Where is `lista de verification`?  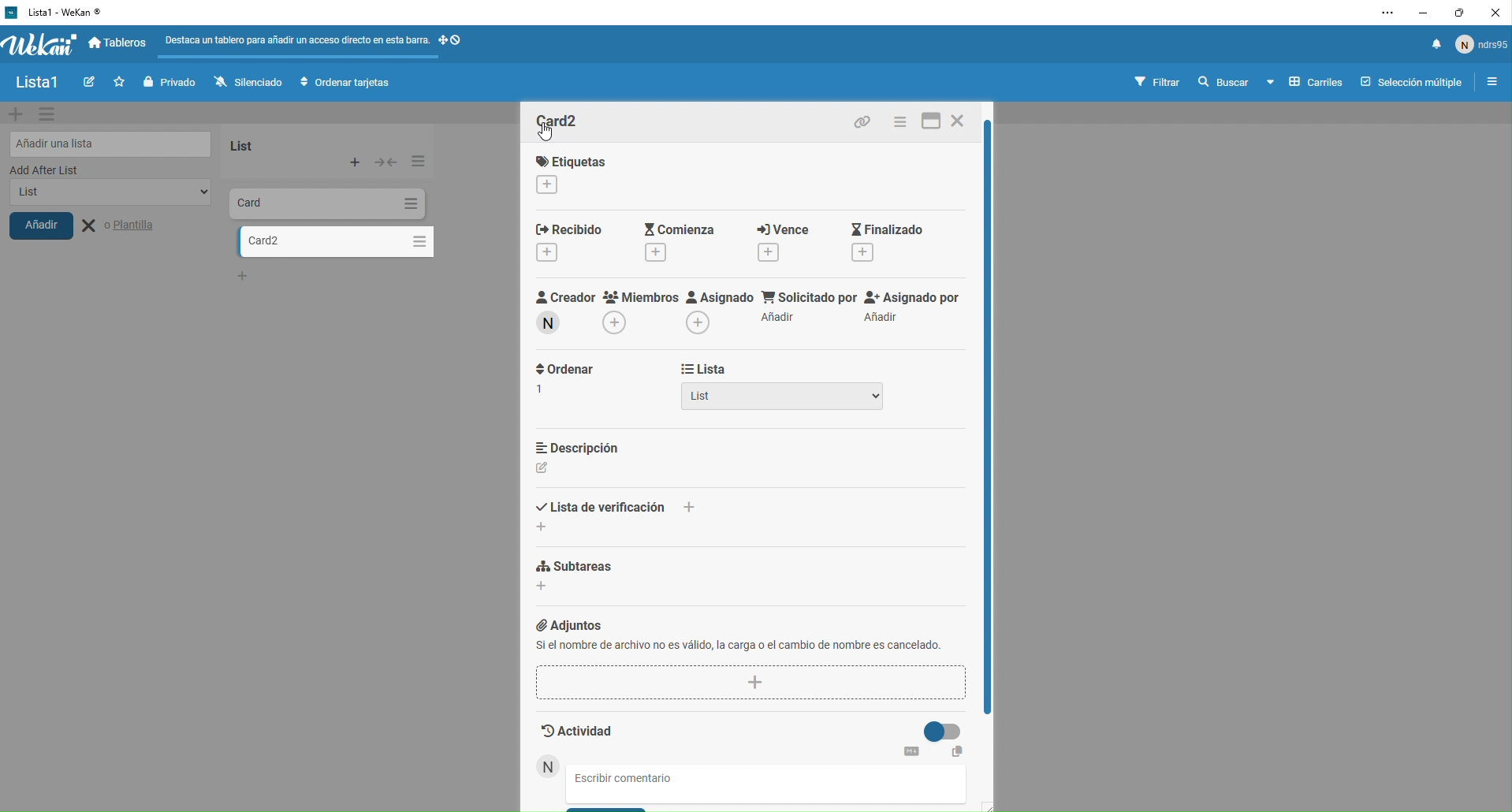
lista de verification is located at coordinates (610, 509).